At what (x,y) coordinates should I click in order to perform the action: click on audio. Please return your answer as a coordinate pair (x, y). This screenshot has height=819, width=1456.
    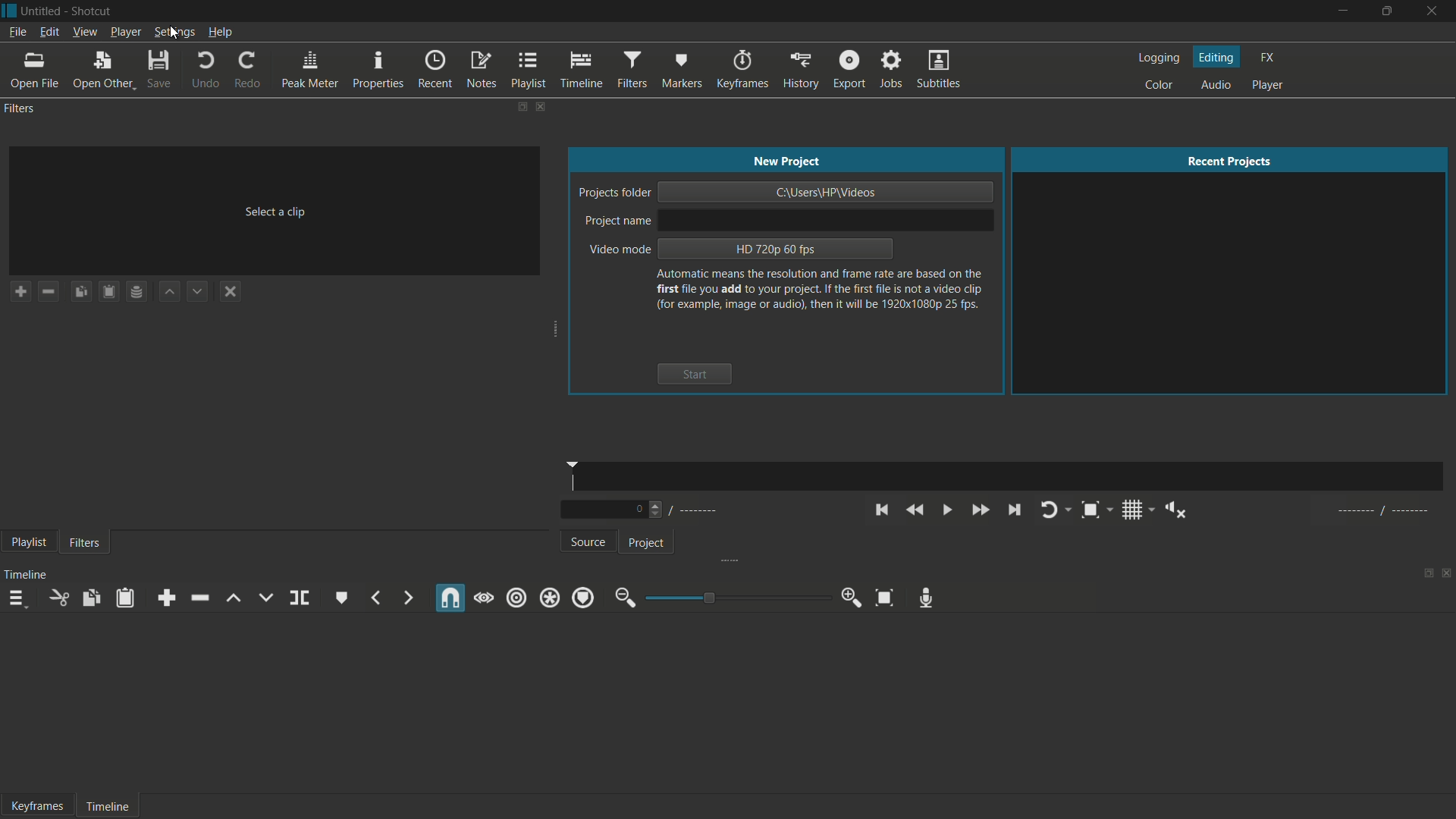
    Looking at the image, I should click on (1219, 85).